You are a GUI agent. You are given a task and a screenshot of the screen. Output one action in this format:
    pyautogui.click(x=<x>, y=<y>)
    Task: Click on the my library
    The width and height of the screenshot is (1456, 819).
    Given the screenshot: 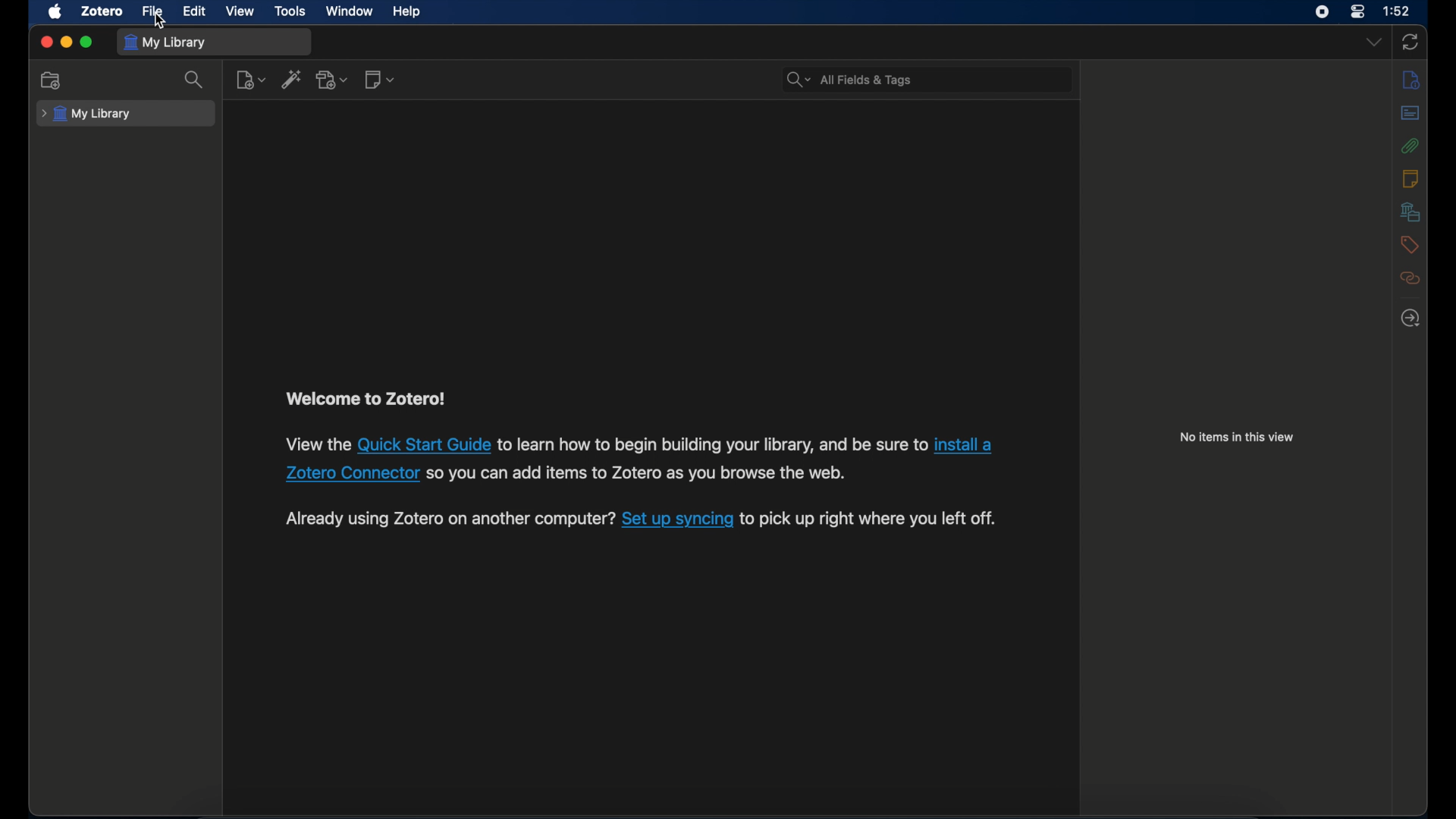 What is the action you would take?
    pyautogui.click(x=167, y=42)
    